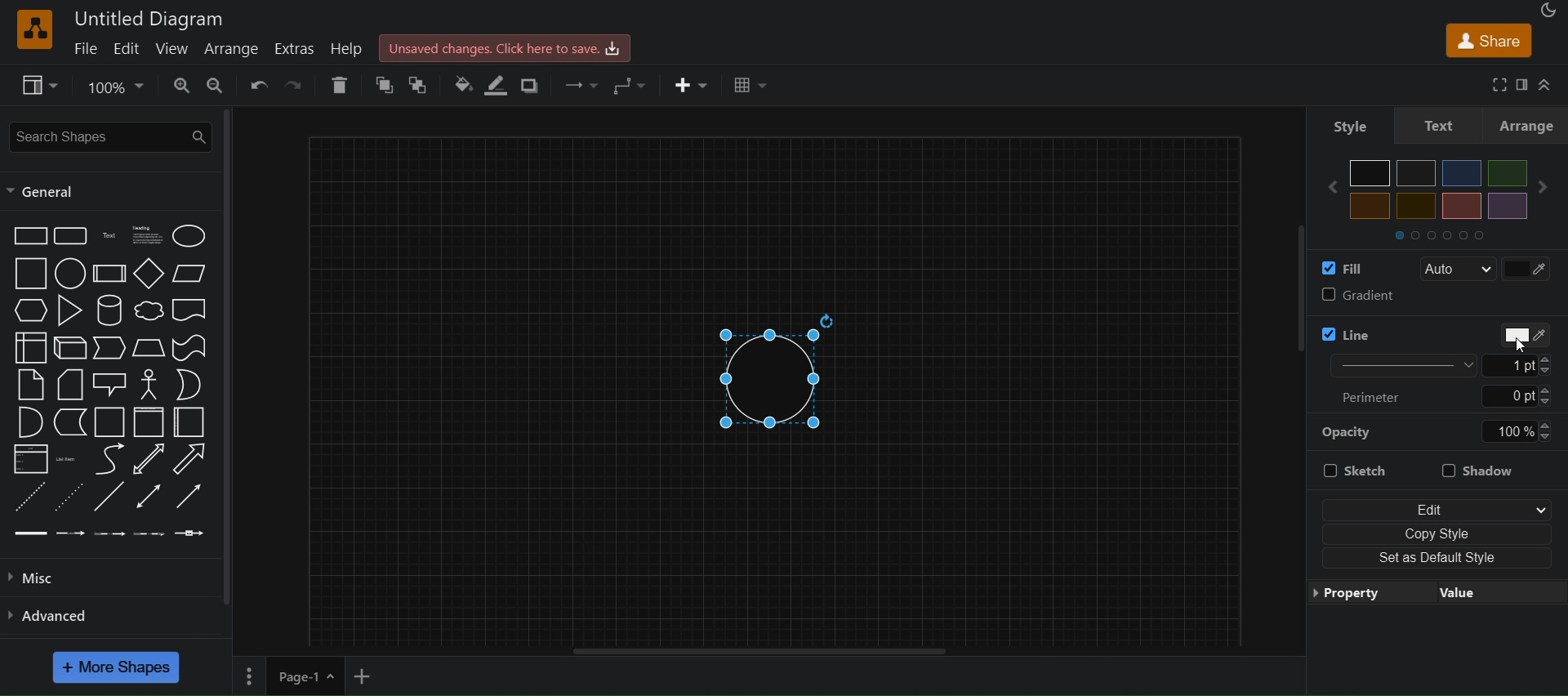  What do you see at coordinates (1338, 267) in the screenshot?
I see `fill color` at bounding box center [1338, 267].